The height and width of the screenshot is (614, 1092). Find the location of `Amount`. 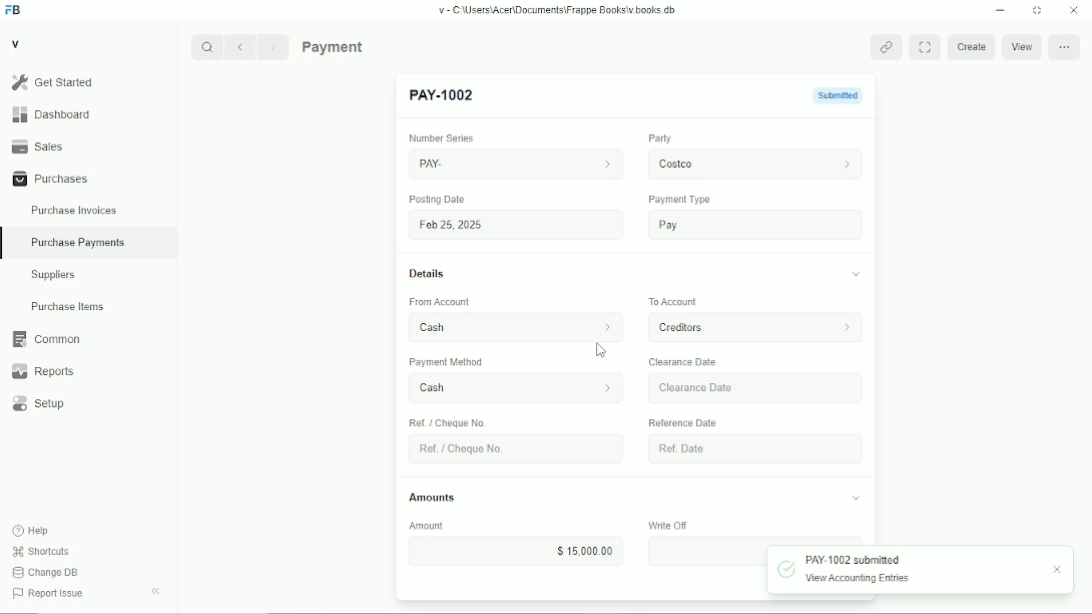

Amount is located at coordinates (435, 526).